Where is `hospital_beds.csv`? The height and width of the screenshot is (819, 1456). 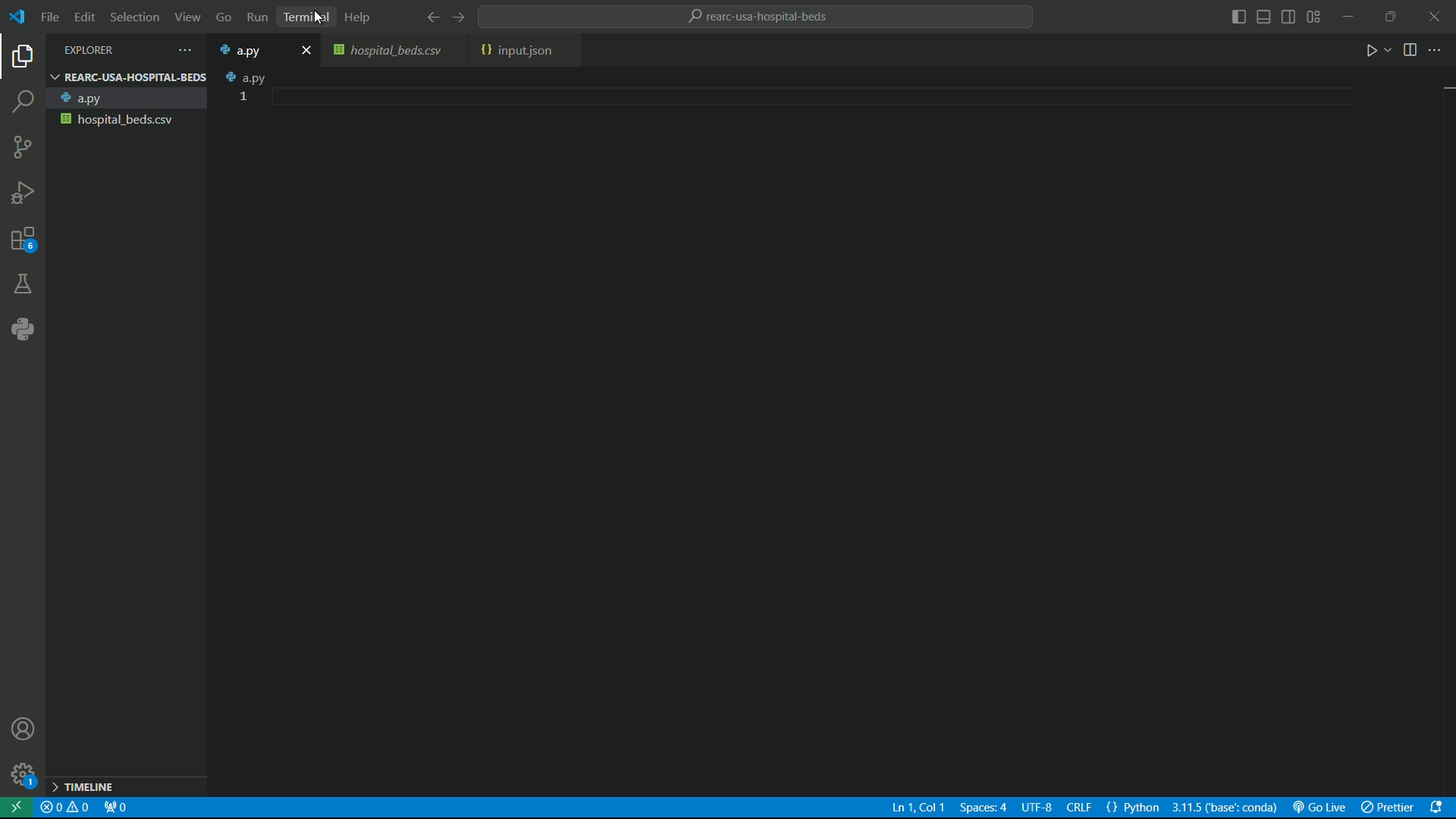 hospital_beds.csv is located at coordinates (127, 120).